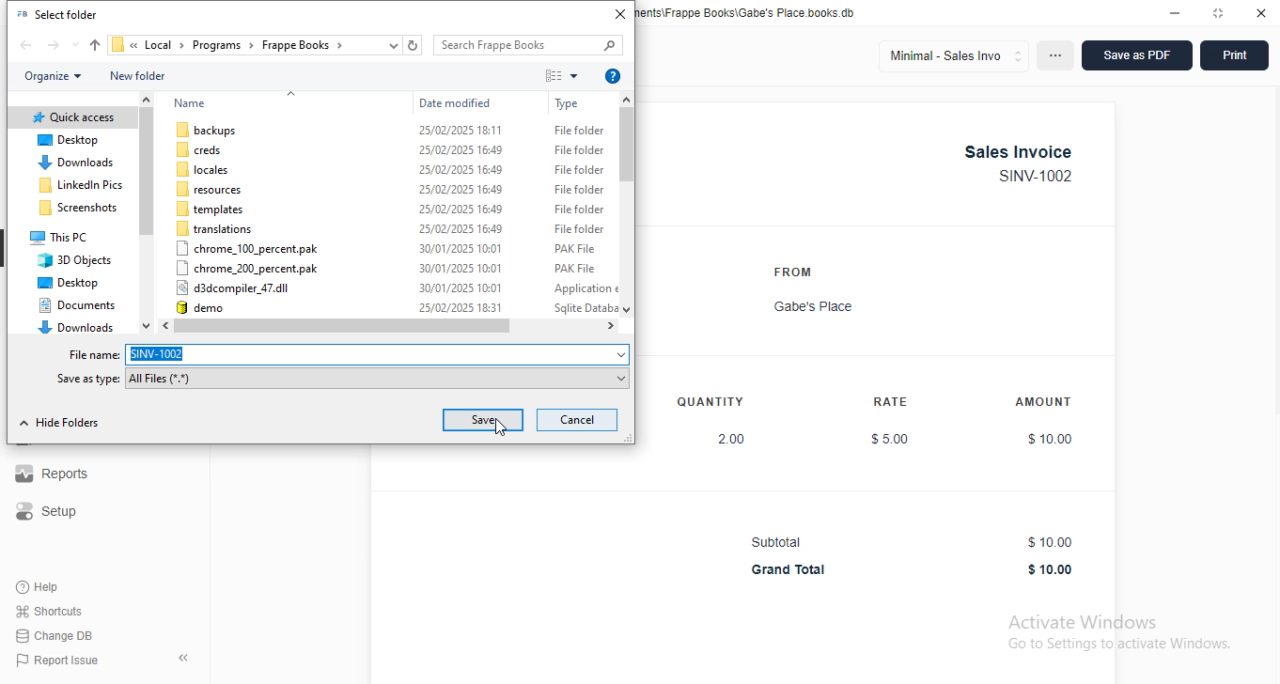  Describe the element at coordinates (1235, 55) in the screenshot. I see `print` at that location.